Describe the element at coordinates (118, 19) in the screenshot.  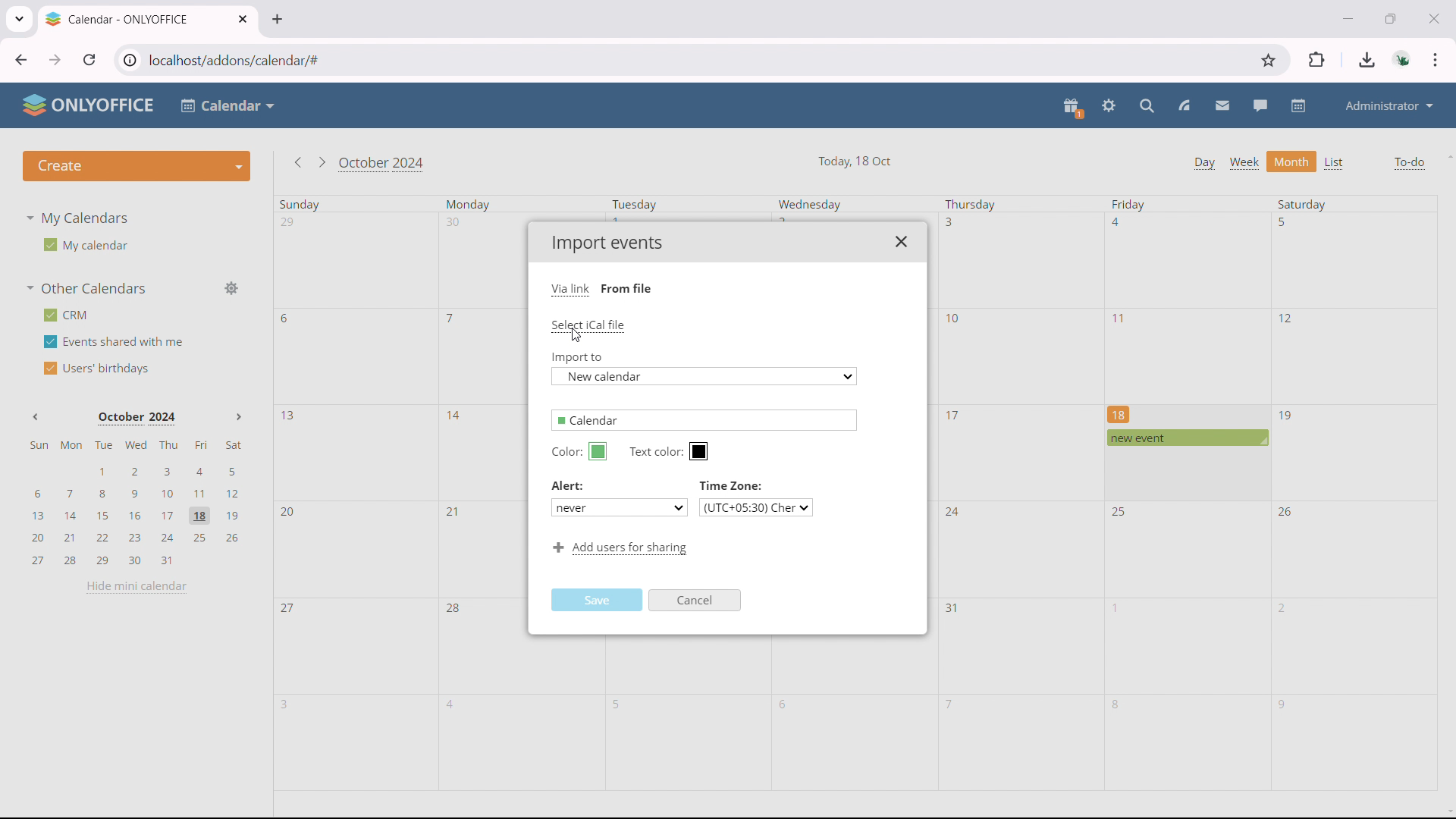
I see `Calendar - ONLYOFFICE` at that location.